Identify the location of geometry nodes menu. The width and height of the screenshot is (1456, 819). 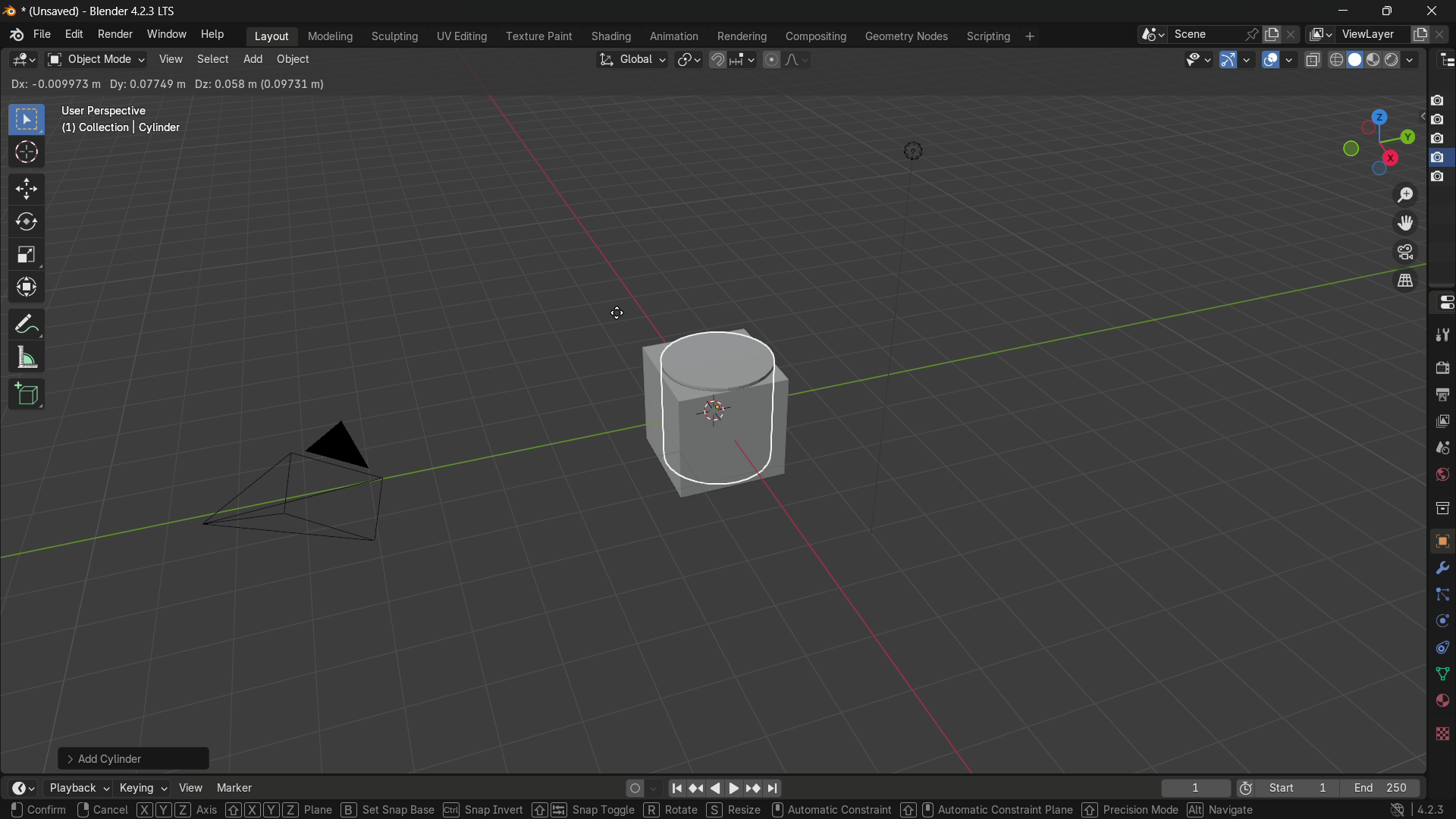
(907, 37).